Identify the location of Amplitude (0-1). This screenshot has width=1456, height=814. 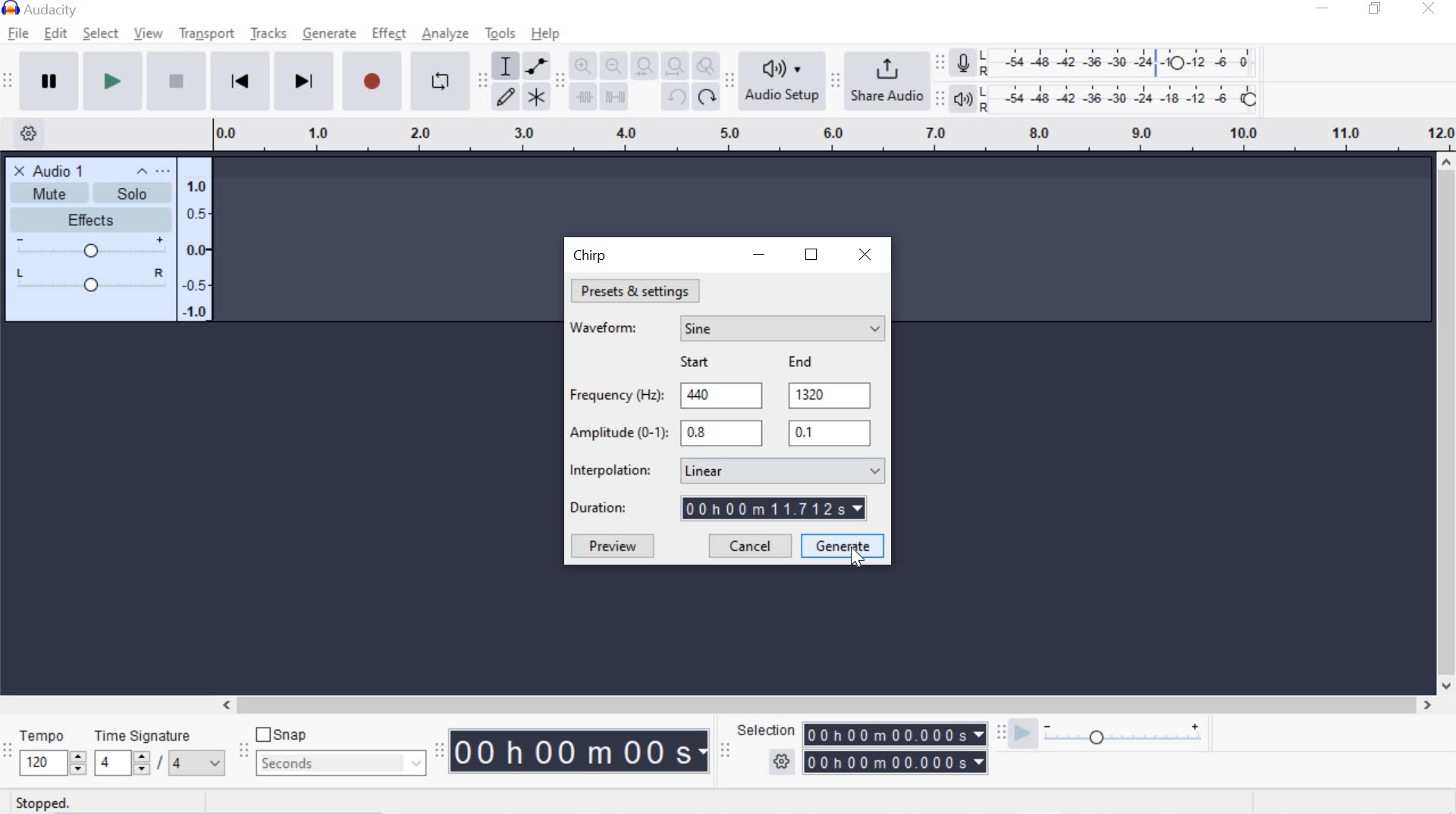
(618, 434).